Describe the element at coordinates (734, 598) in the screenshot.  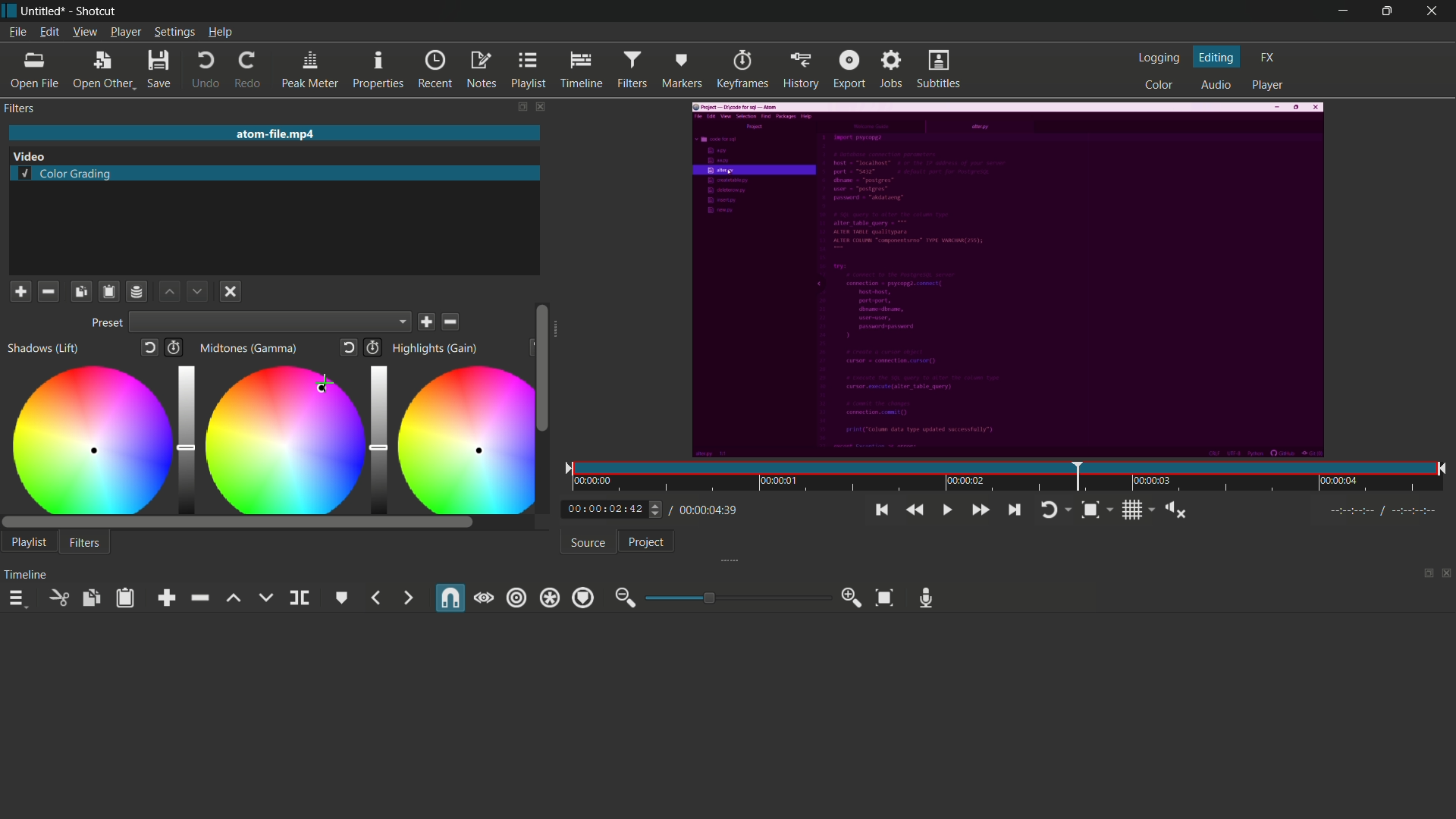
I see `adjustment bar` at that location.